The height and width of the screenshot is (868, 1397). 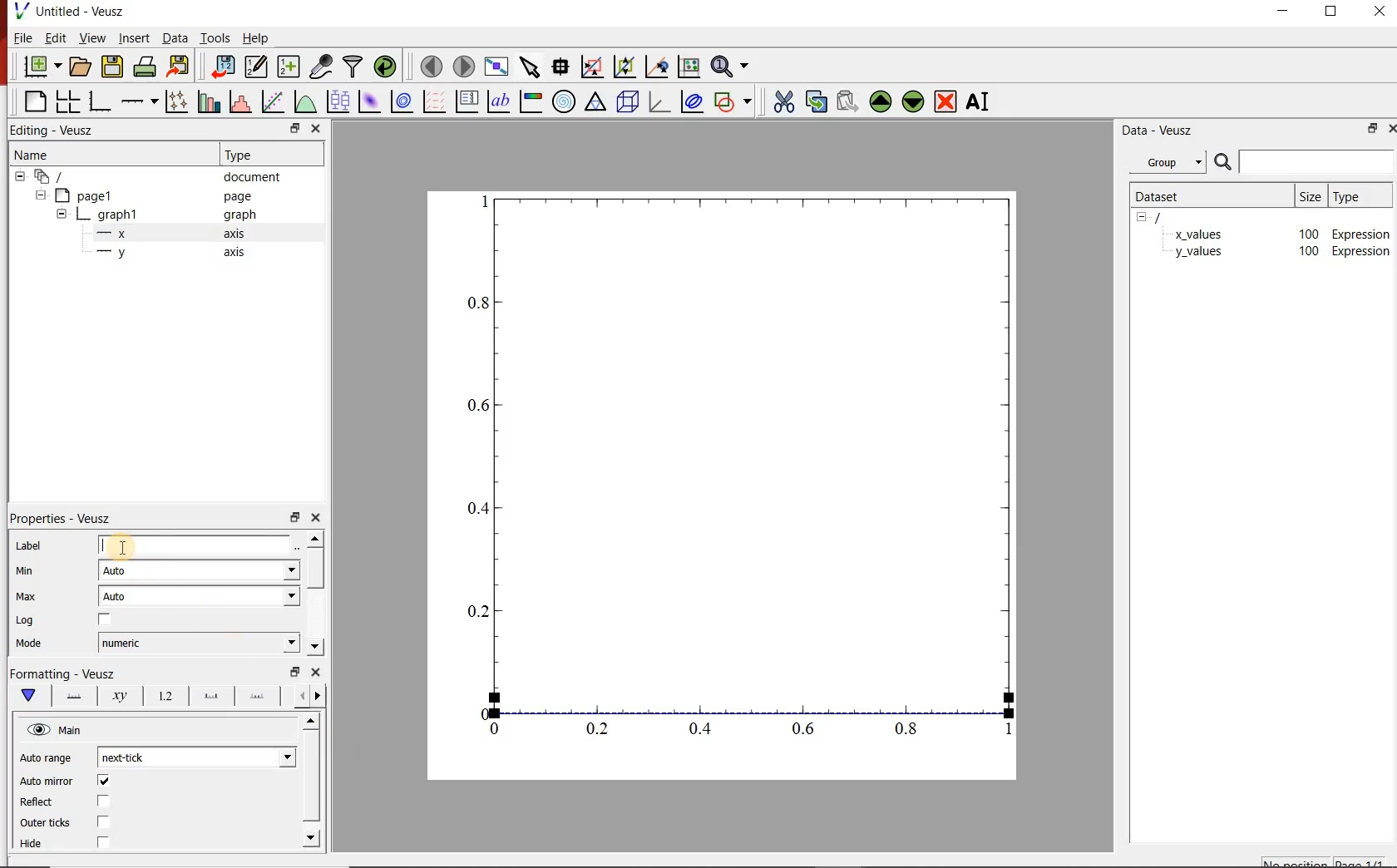 What do you see at coordinates (845, 104) in the screenshot?
I see `paste the selected widget` at bounding box center [845, 104].